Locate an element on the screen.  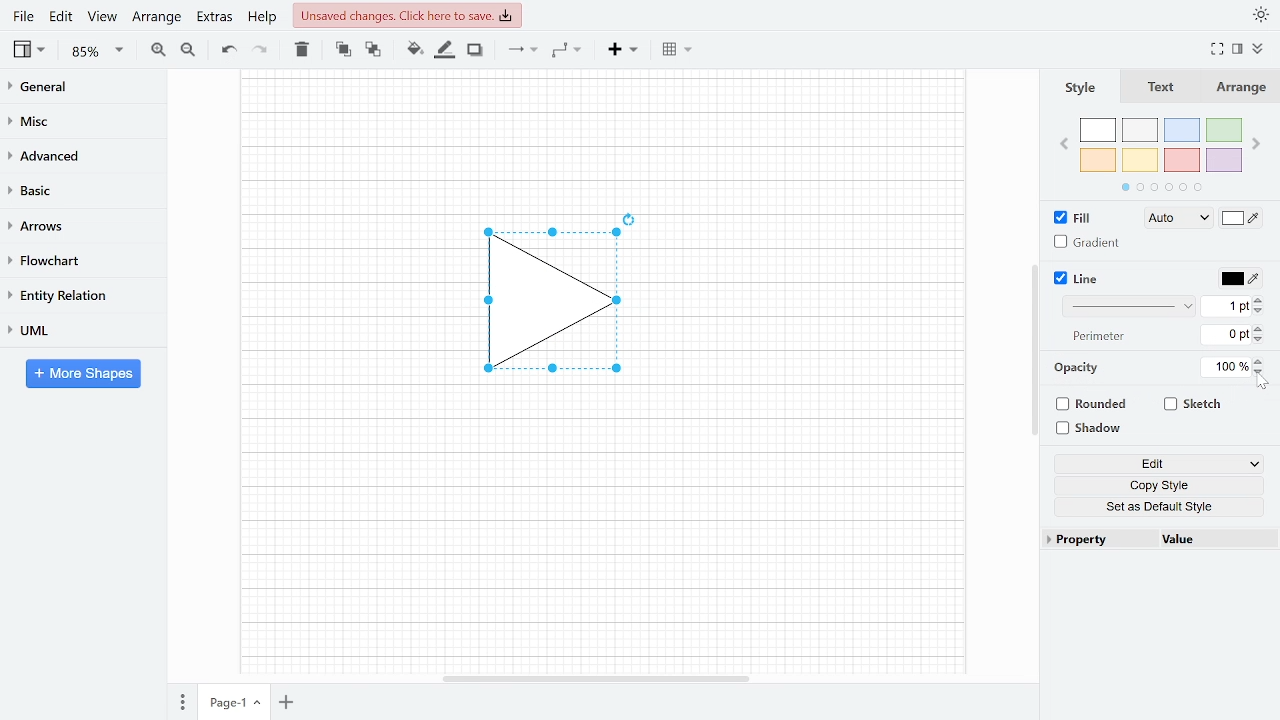
Fill line is located at coordinates (444, 50).